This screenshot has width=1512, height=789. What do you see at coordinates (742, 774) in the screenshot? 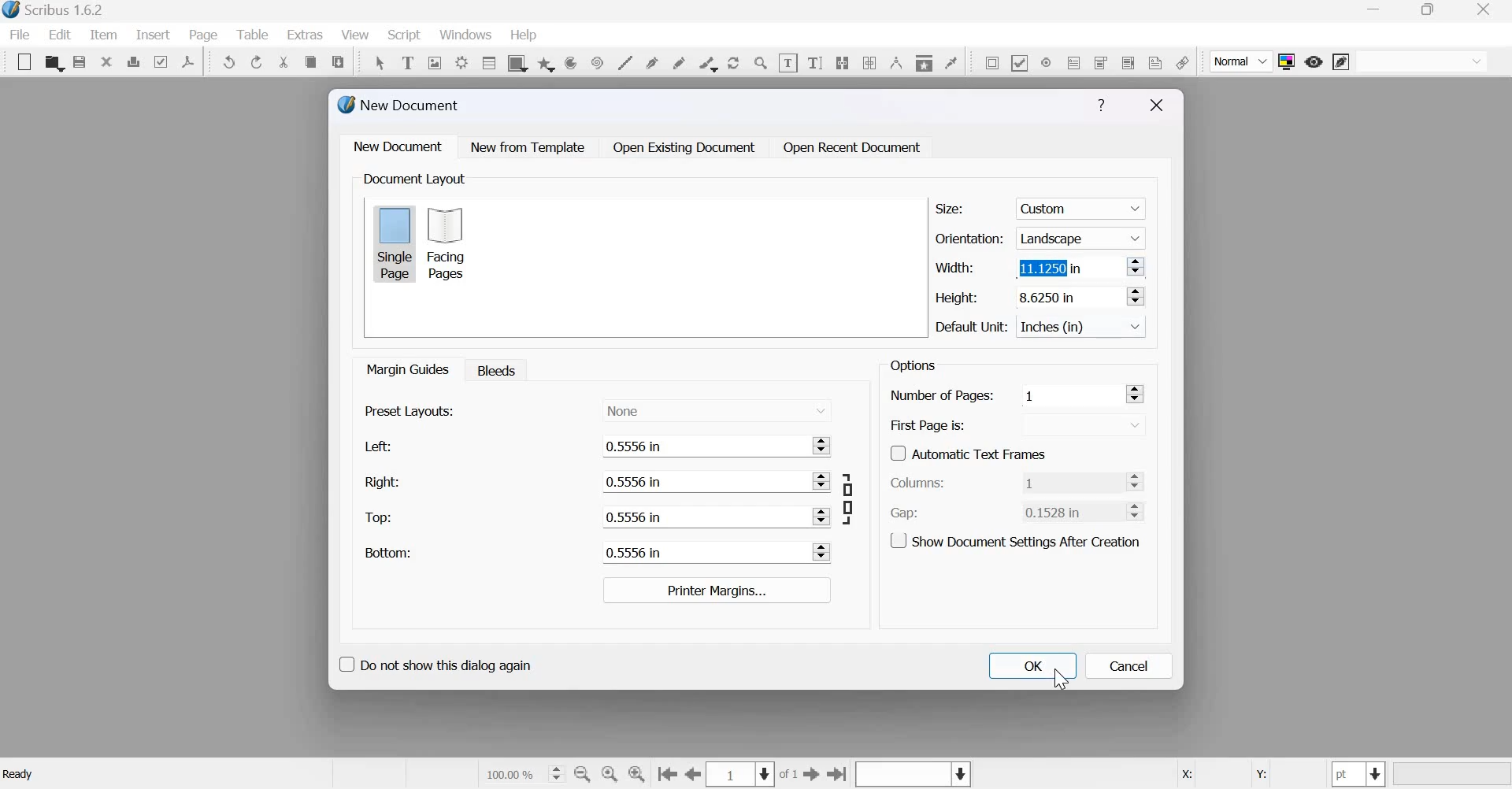
I see `Select the current page` at bounding box center [742, 774].